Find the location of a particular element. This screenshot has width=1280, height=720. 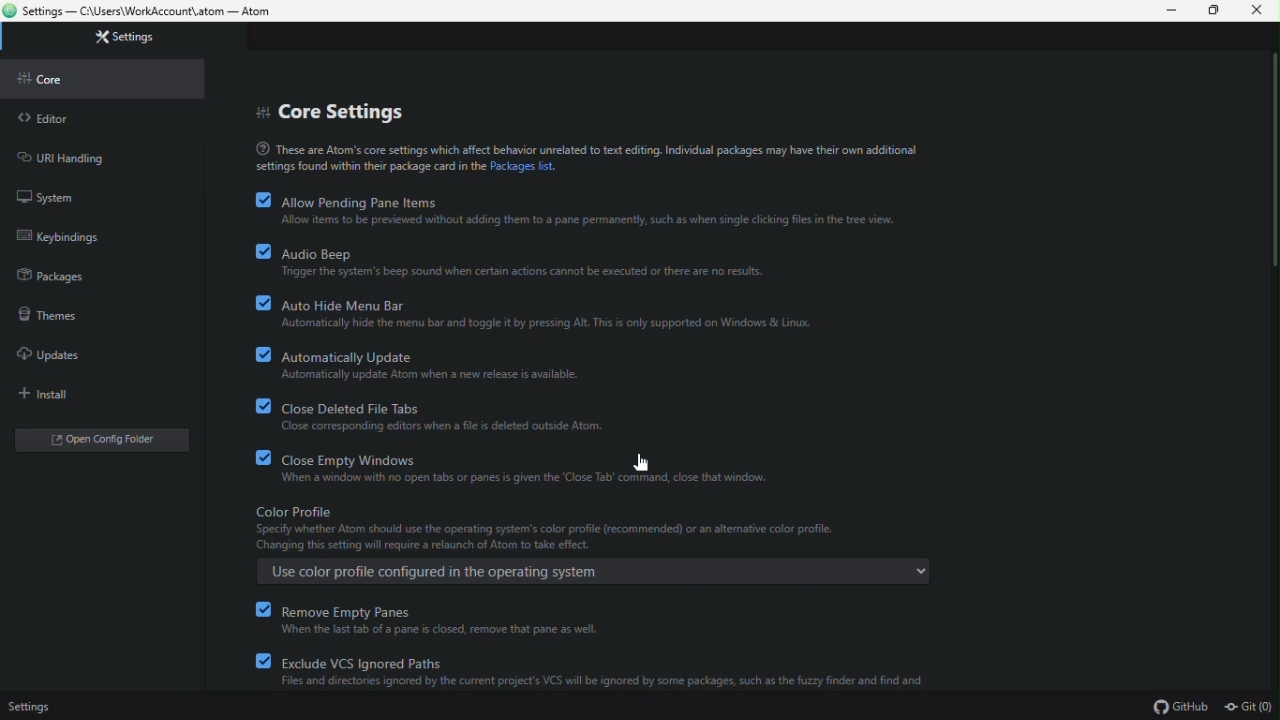

checkbox  is located at coordinates (252, 660).